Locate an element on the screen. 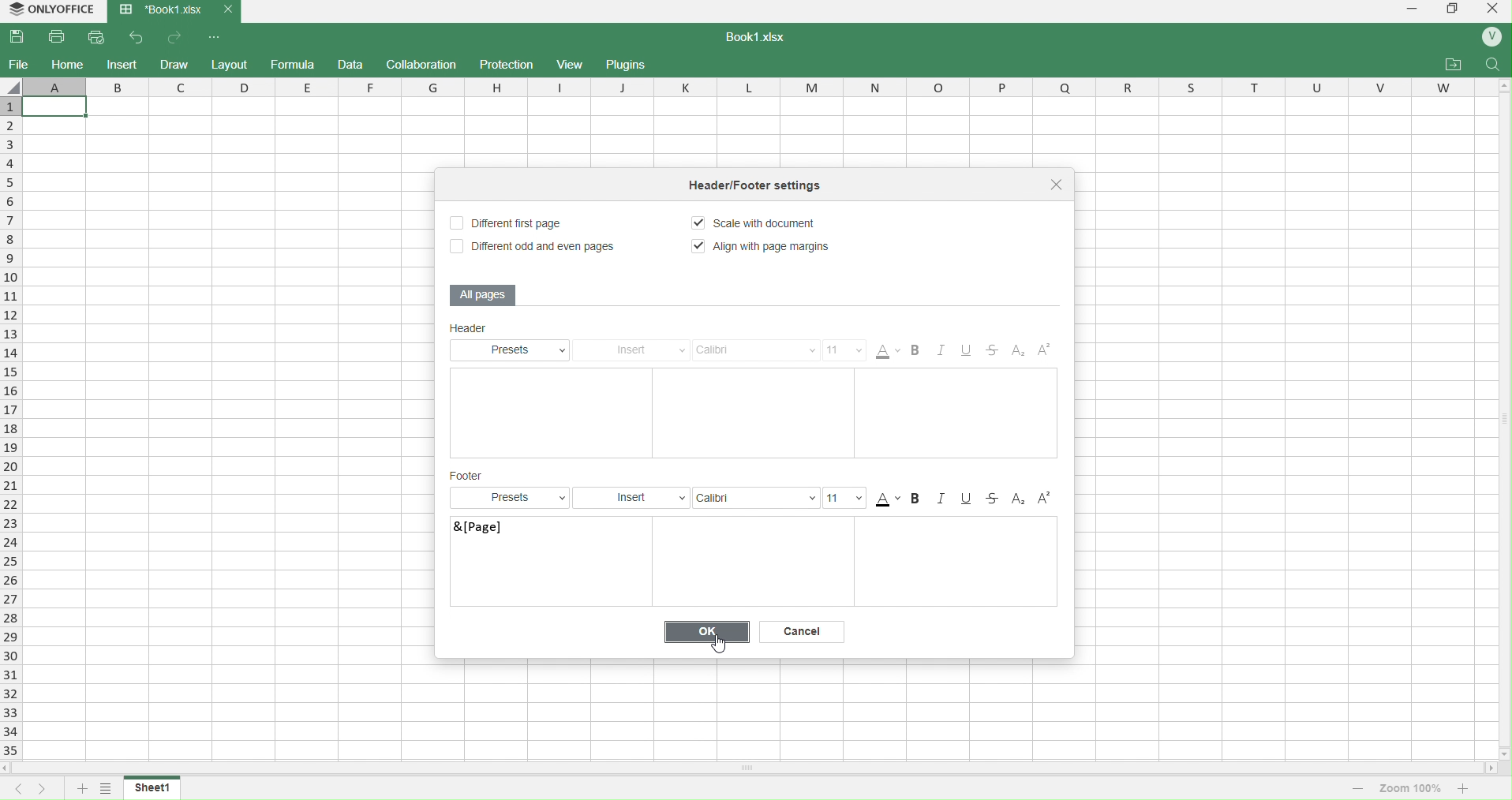 The width and height of the screenshot is (1512, 800). home is located at coordinates (68, 64).